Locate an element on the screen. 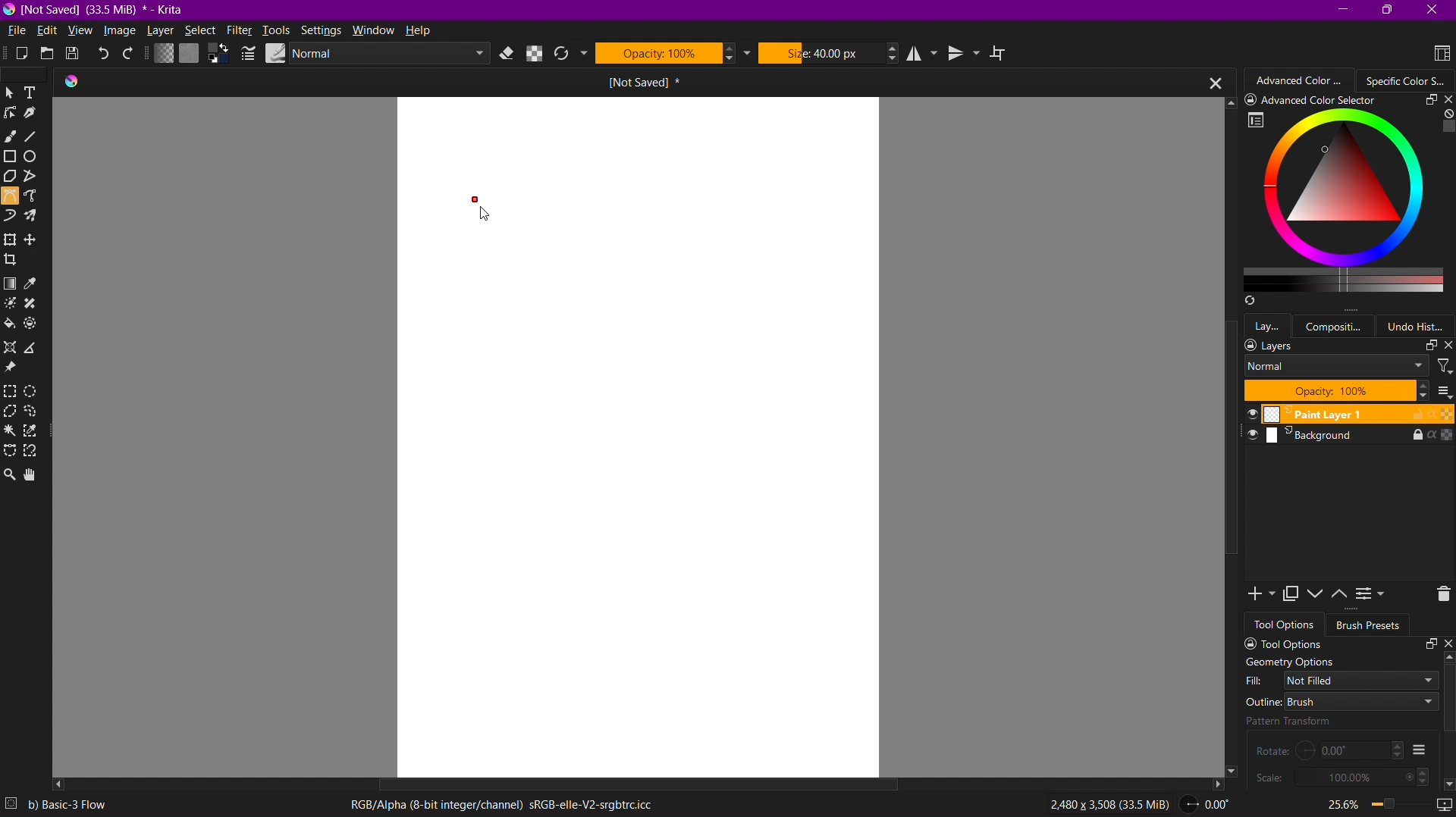  Up is located at coordinates (1226, 102).